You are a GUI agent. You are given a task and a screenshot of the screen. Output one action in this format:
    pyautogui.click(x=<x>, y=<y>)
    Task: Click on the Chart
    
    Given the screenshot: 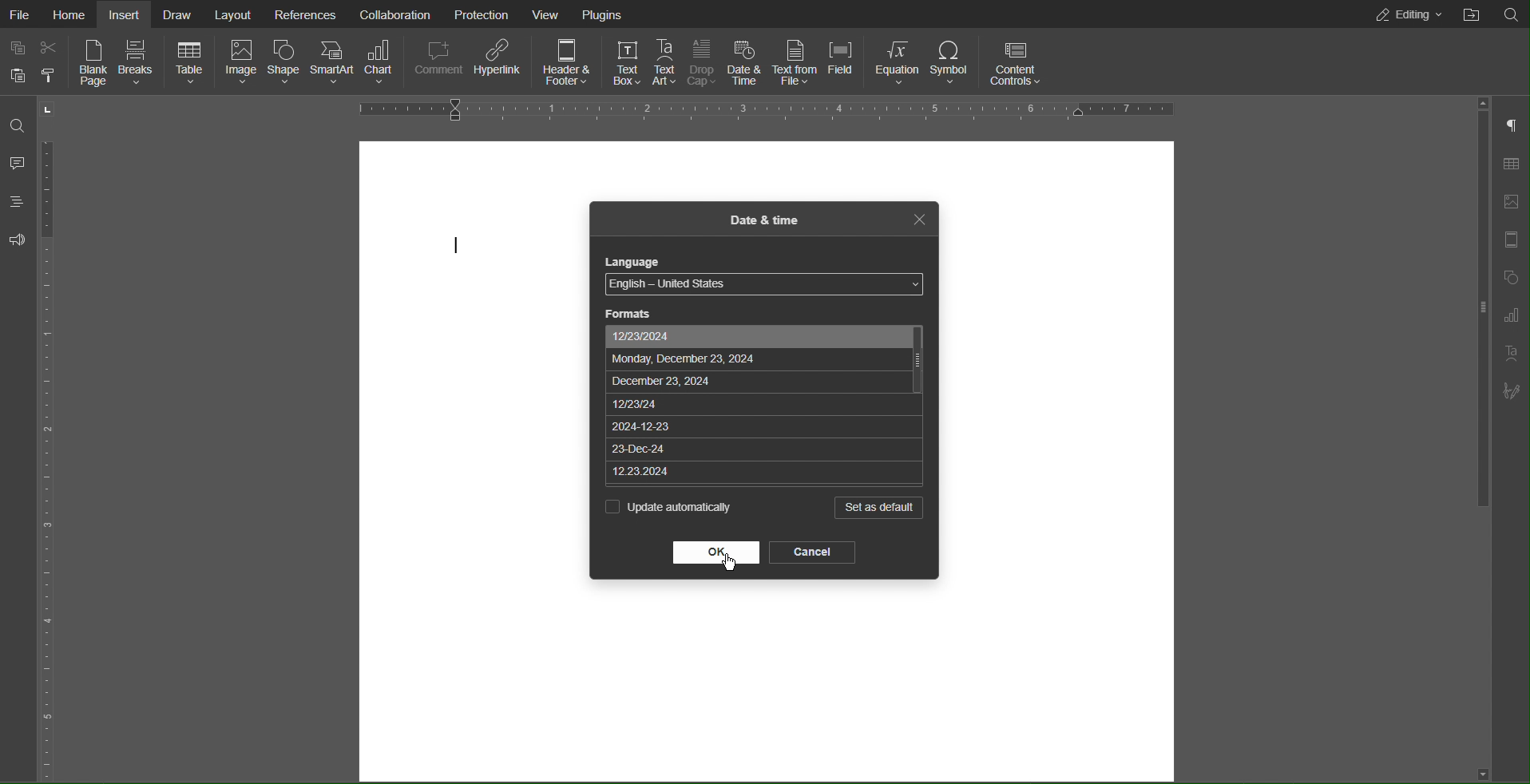 What is the action you would take?
    pyautogui.click(x=383, y=62)
    